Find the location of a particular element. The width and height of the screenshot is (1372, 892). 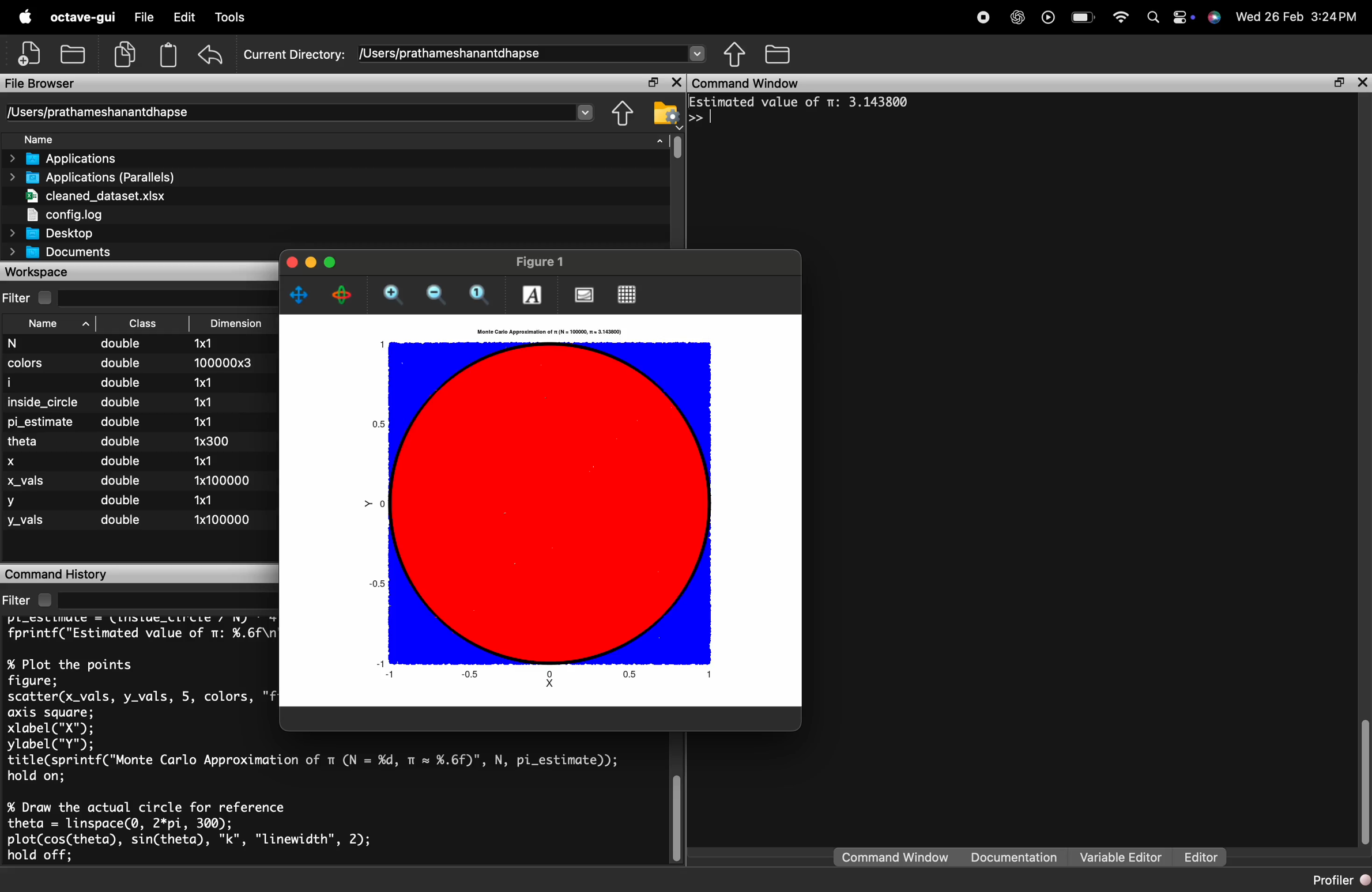

N is located at coordinates (20, 343).